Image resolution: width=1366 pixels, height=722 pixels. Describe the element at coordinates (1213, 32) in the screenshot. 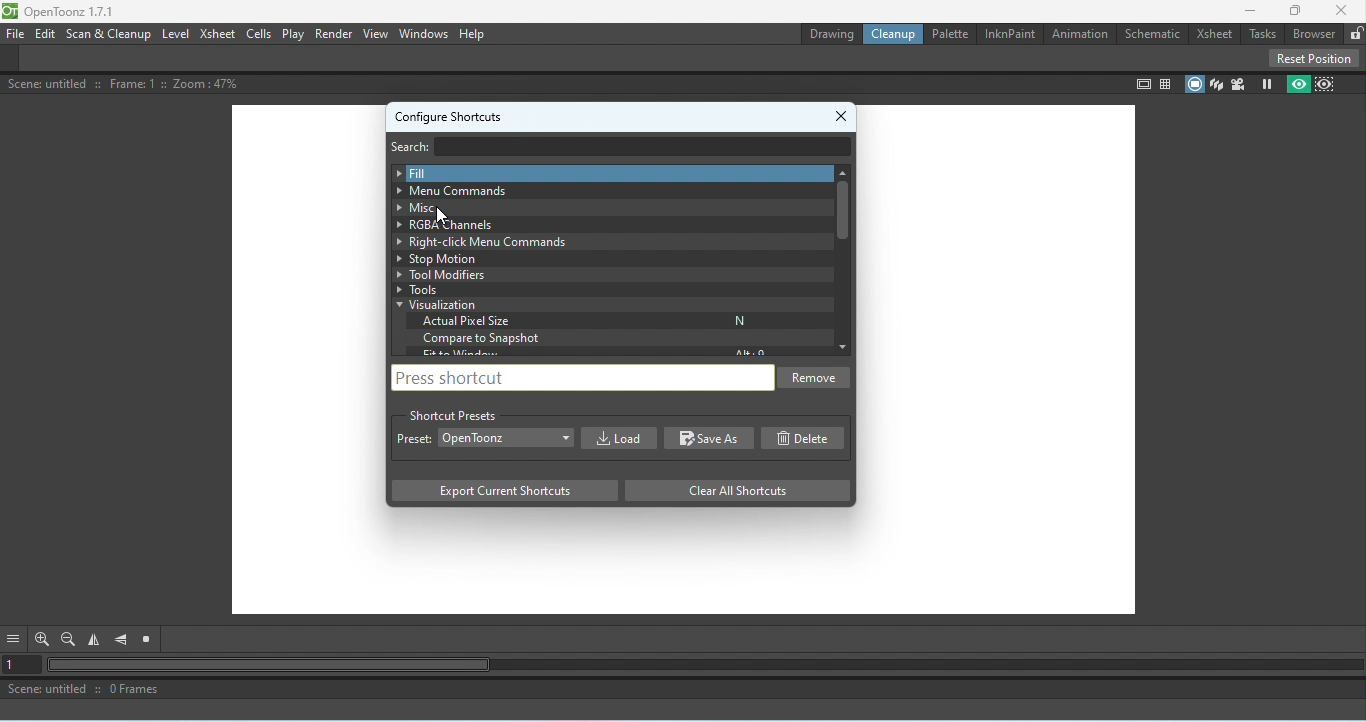

I see `Xsheet` at that location.